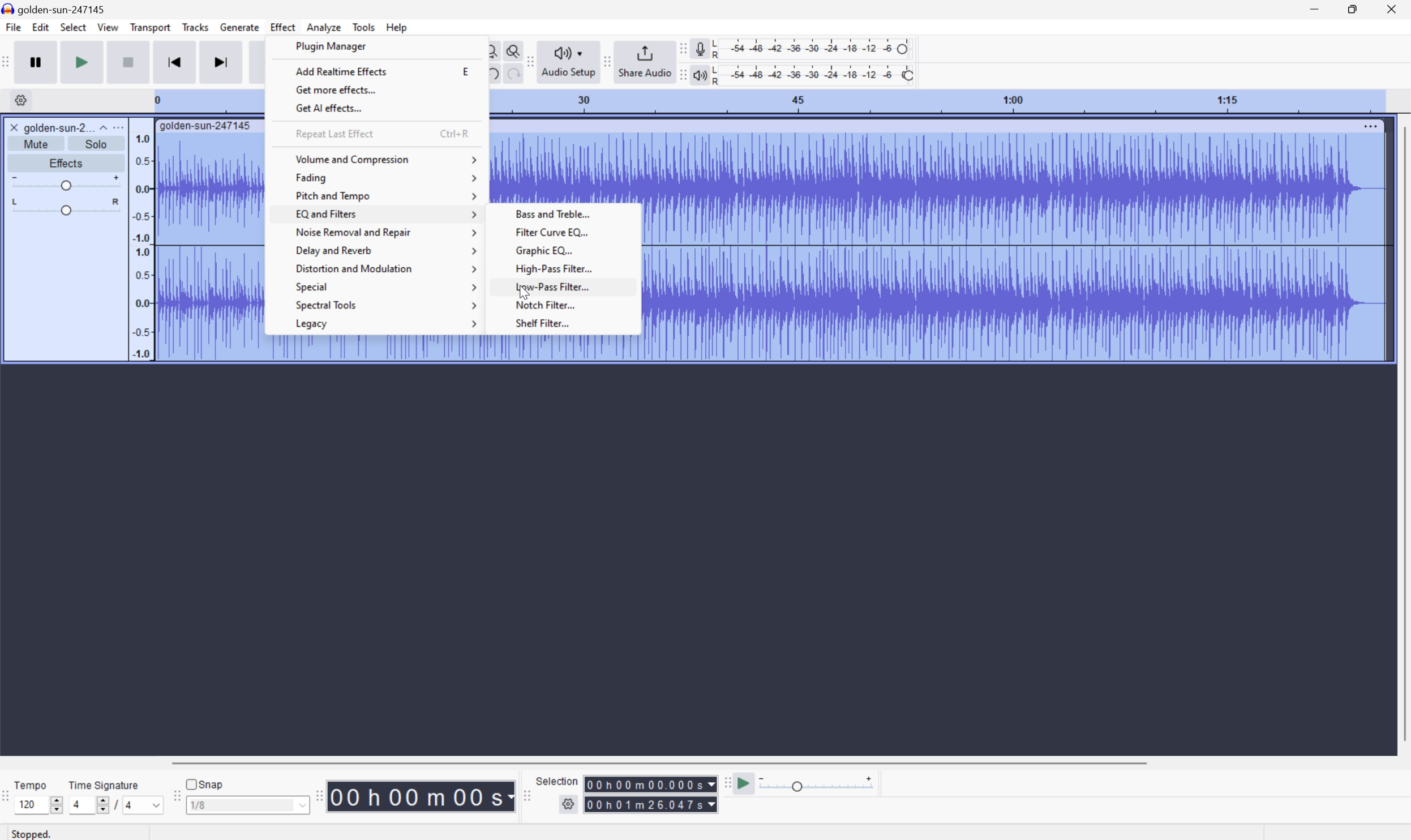 The height and width of the screenshot is (840, 1411). Describe the element at coordinates (385, 232) in the screenshot. I see `Noise Removal and repair` at that location.